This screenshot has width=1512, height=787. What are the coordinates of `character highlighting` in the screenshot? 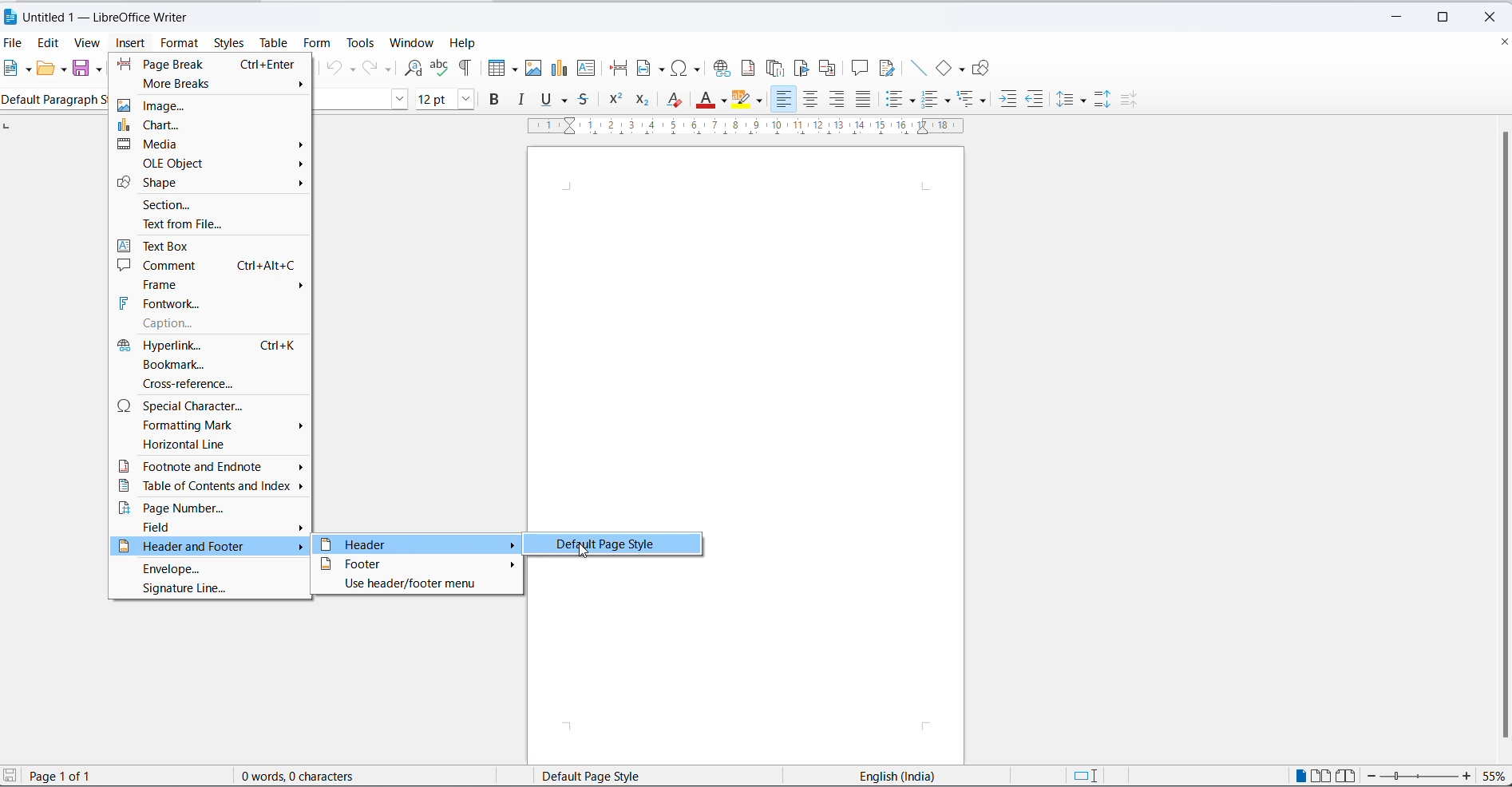 It's located at (745, 99).